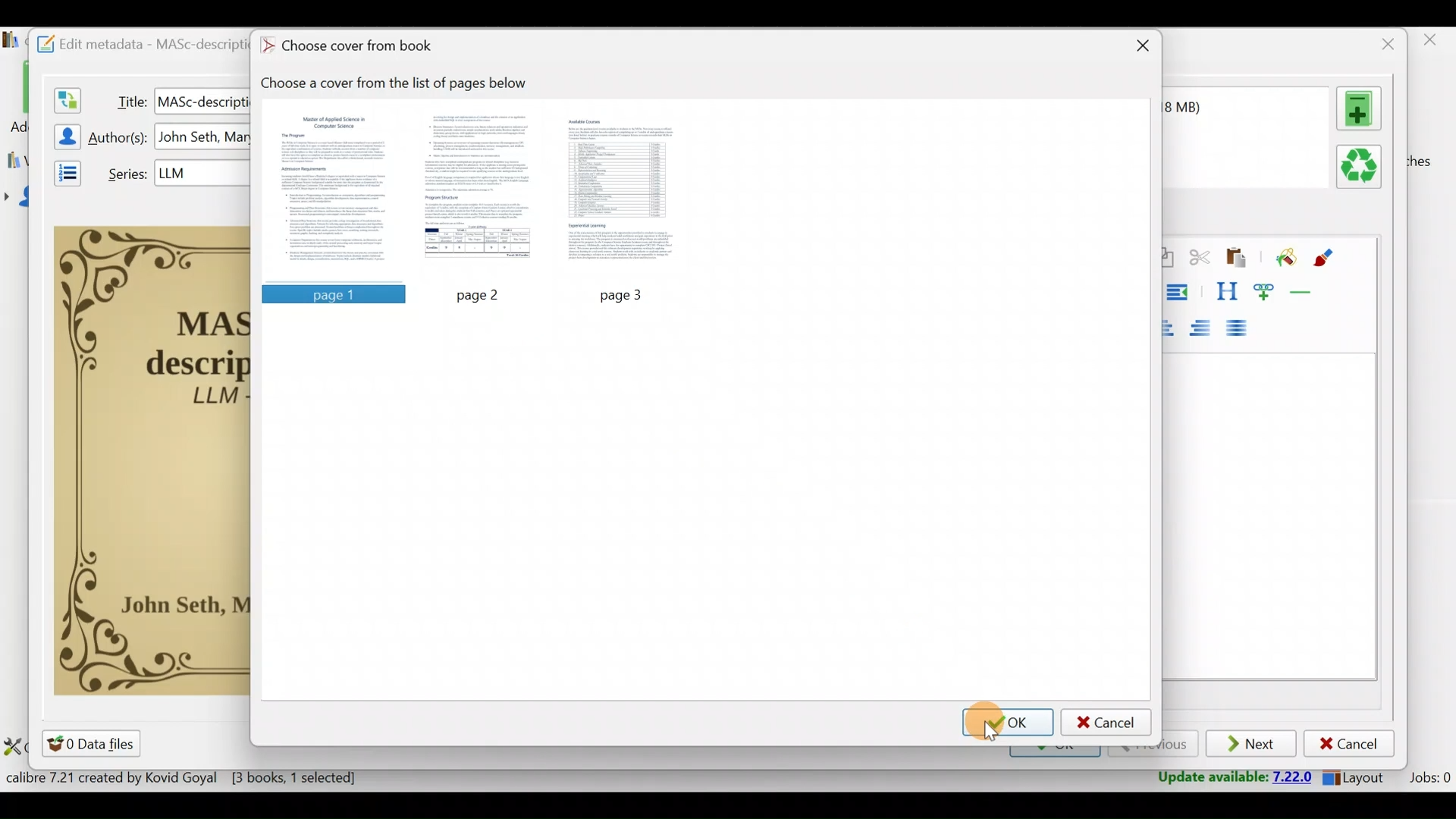 The image size is (1456, 819). I want to click on Cover preview, so click(152, 459).